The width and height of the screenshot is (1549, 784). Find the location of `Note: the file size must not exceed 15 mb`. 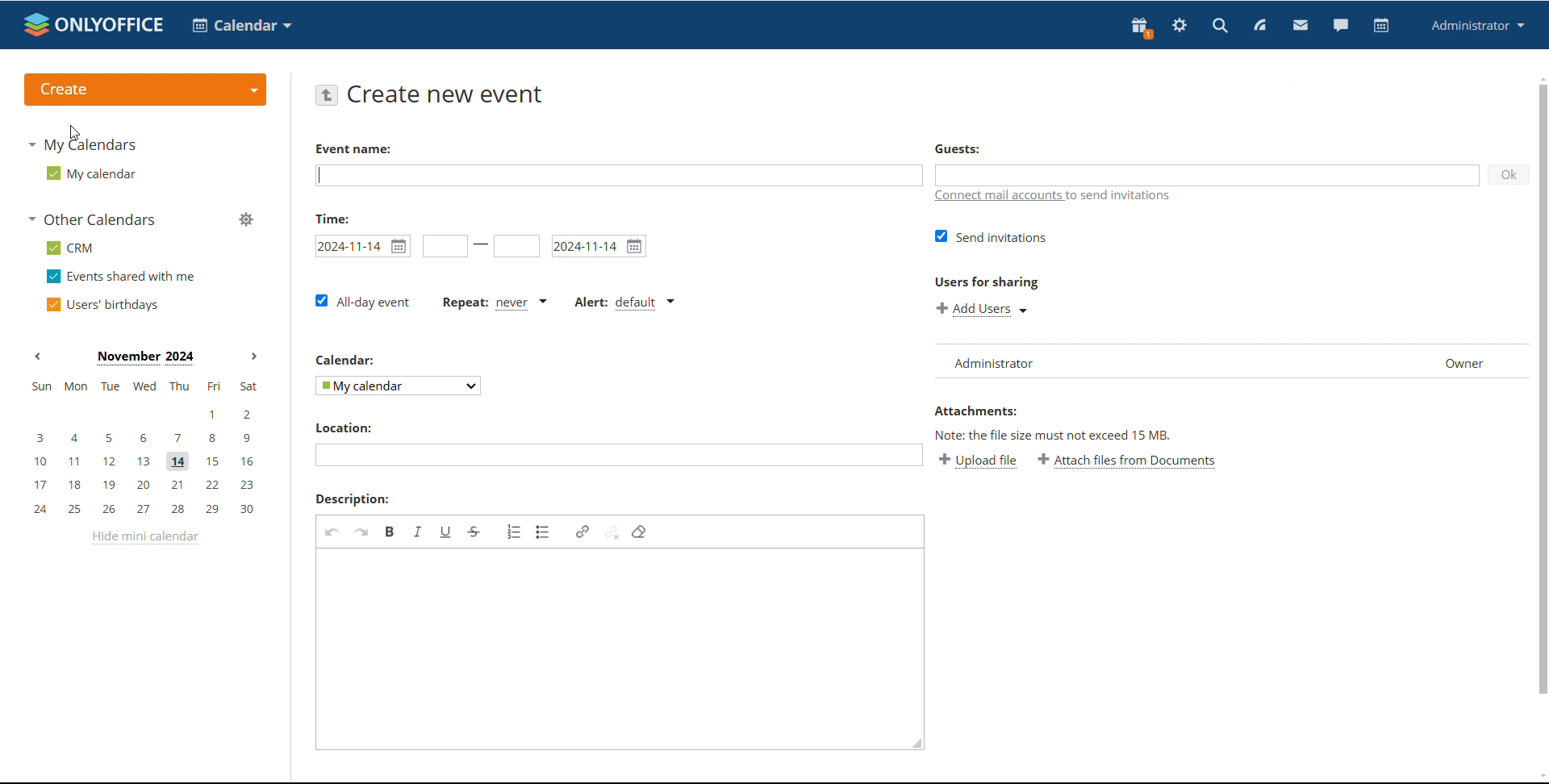

Note: the file size must not exceed 15 mb is located at coordinates (1054, 435).